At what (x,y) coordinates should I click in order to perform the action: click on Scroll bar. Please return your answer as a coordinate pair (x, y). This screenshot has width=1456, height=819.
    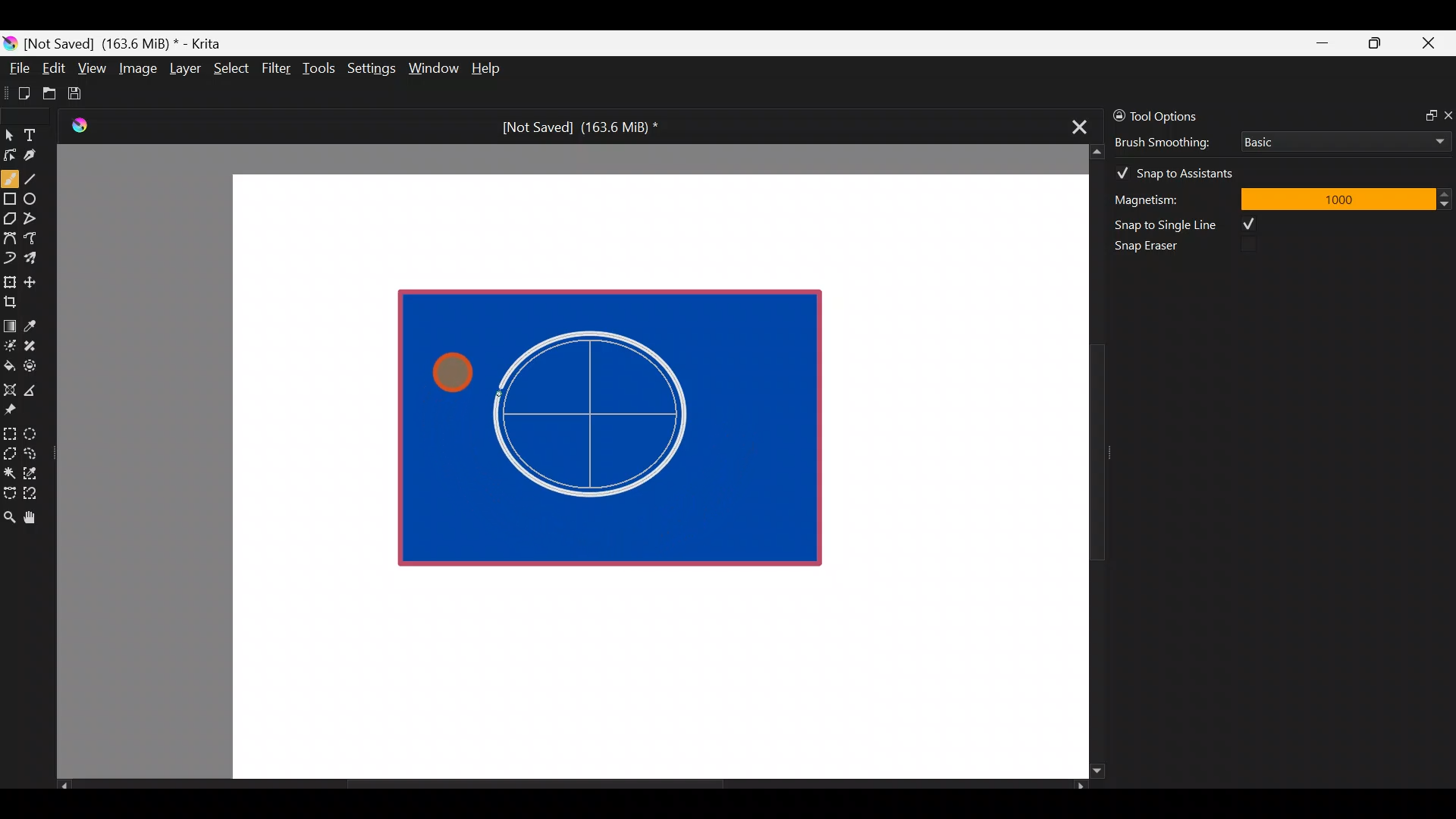
    Looking at the image, I should click on (572, 786).